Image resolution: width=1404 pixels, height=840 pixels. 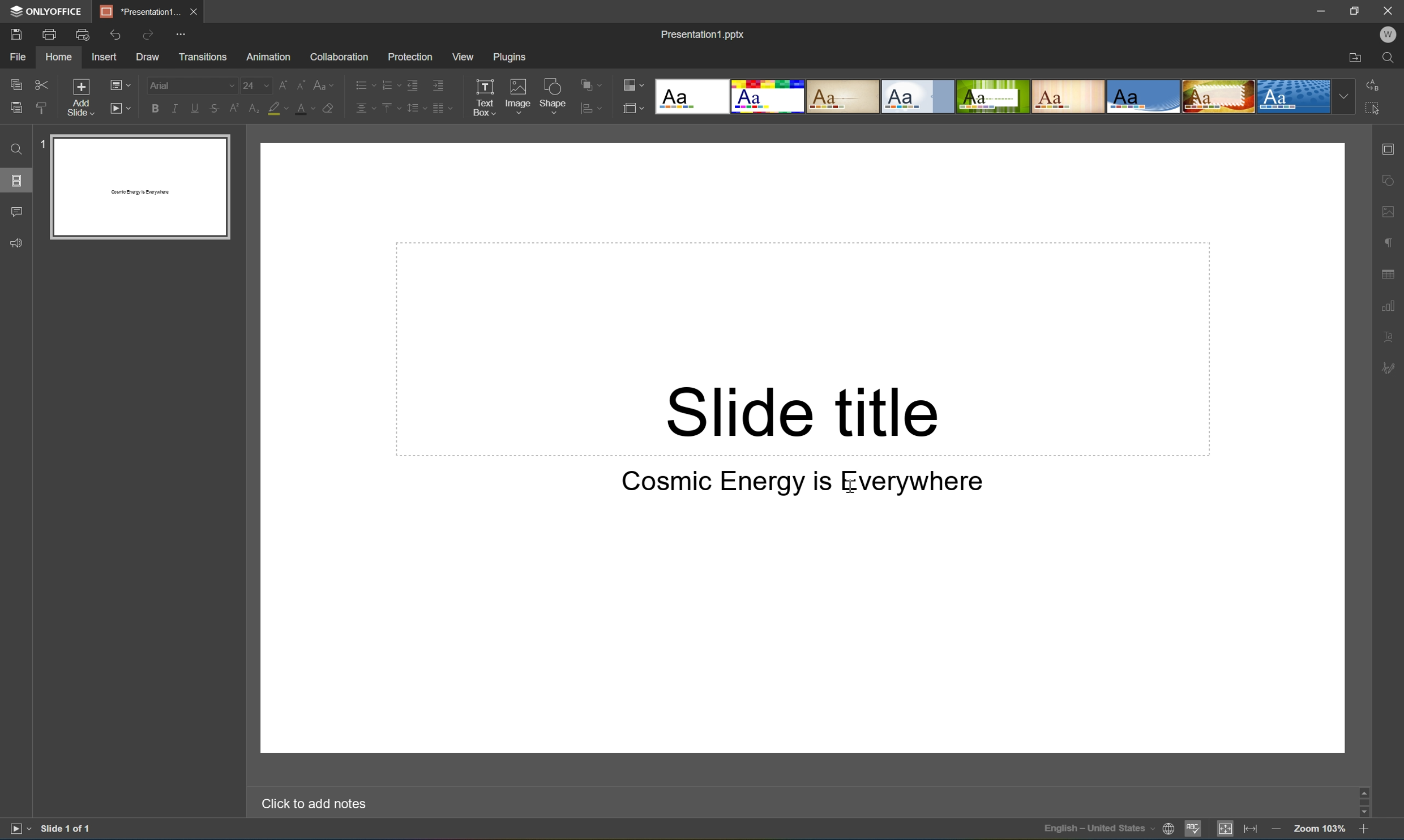 I want to click on Change slide layout, so click(x=118, y=84).